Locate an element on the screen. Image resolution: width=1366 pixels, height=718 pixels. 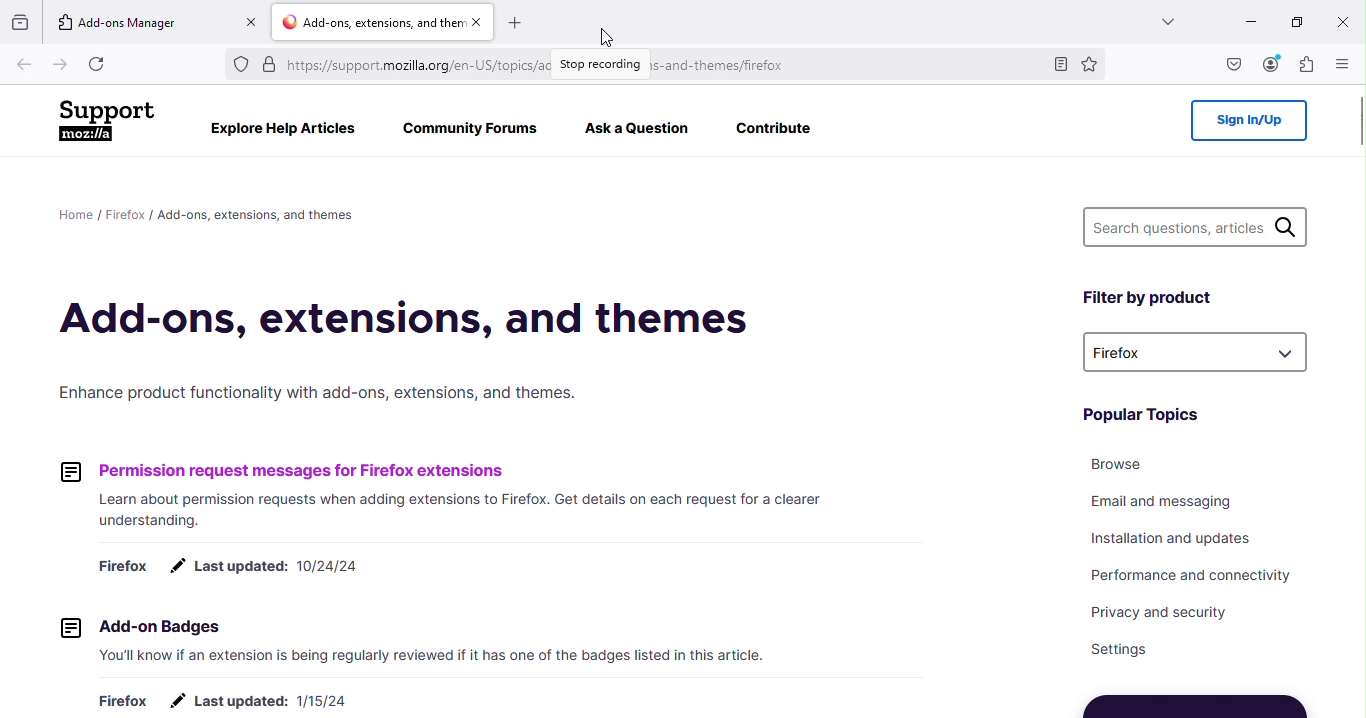
Add-ons manager is located at coordinates (139, 21).